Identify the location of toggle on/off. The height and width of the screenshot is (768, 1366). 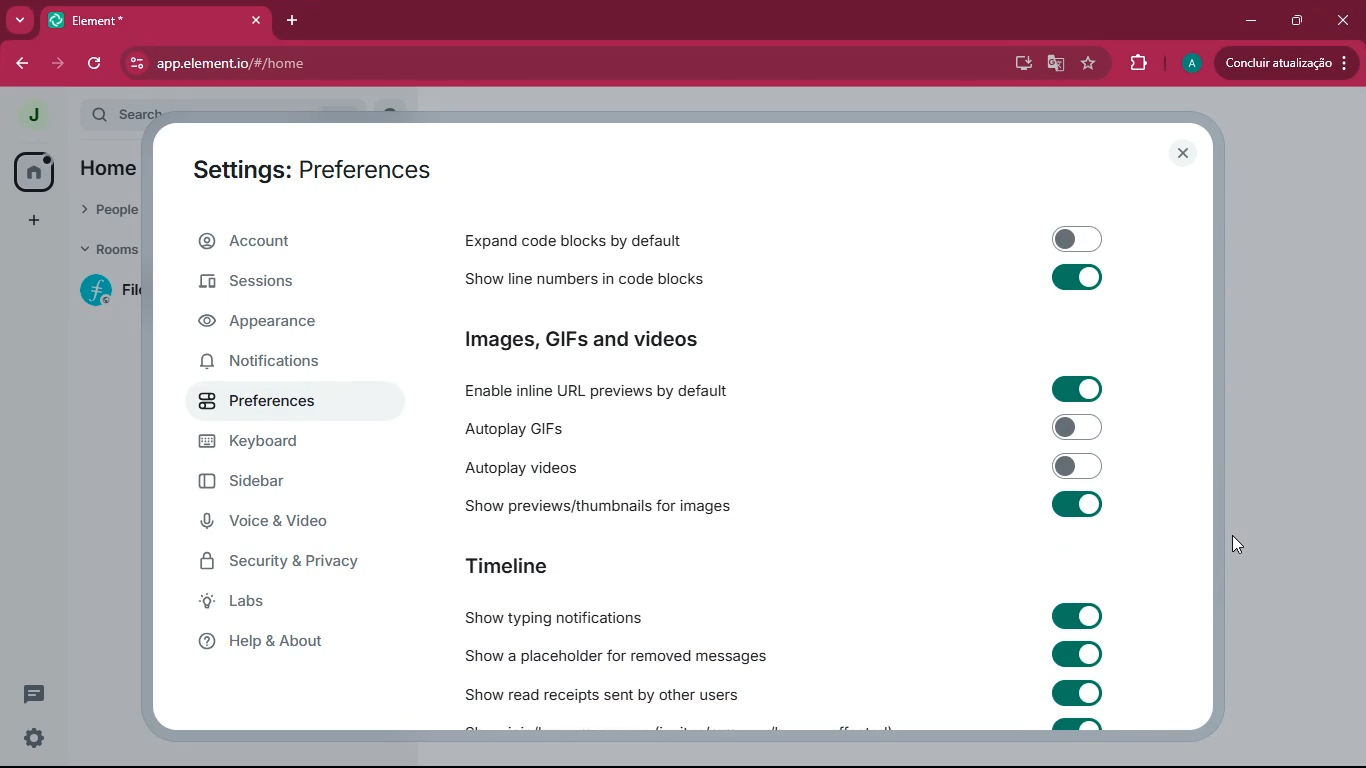
(1077, 654).